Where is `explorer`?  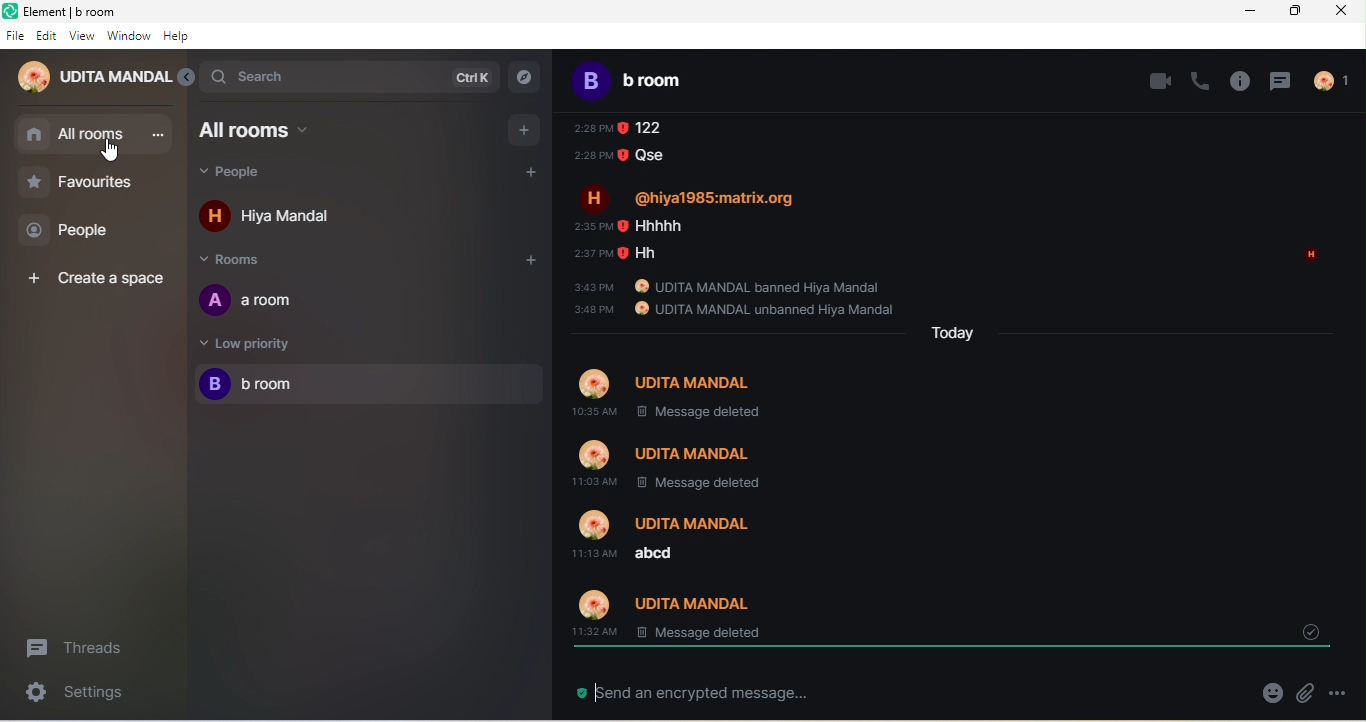 explorer is located at coordinates (526, 79).